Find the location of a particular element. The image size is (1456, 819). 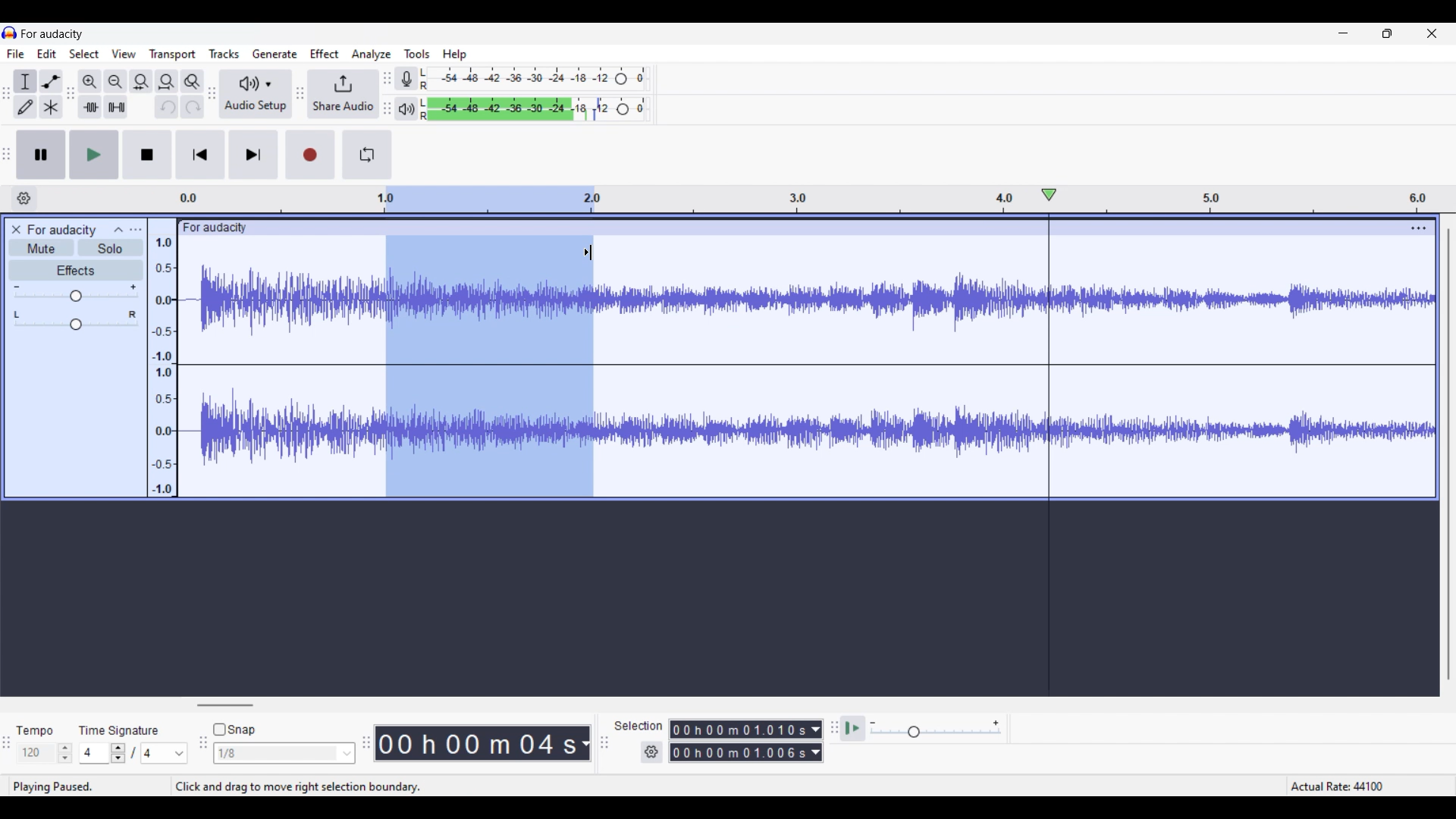

Timeline options is located at coordinates (24, 199).